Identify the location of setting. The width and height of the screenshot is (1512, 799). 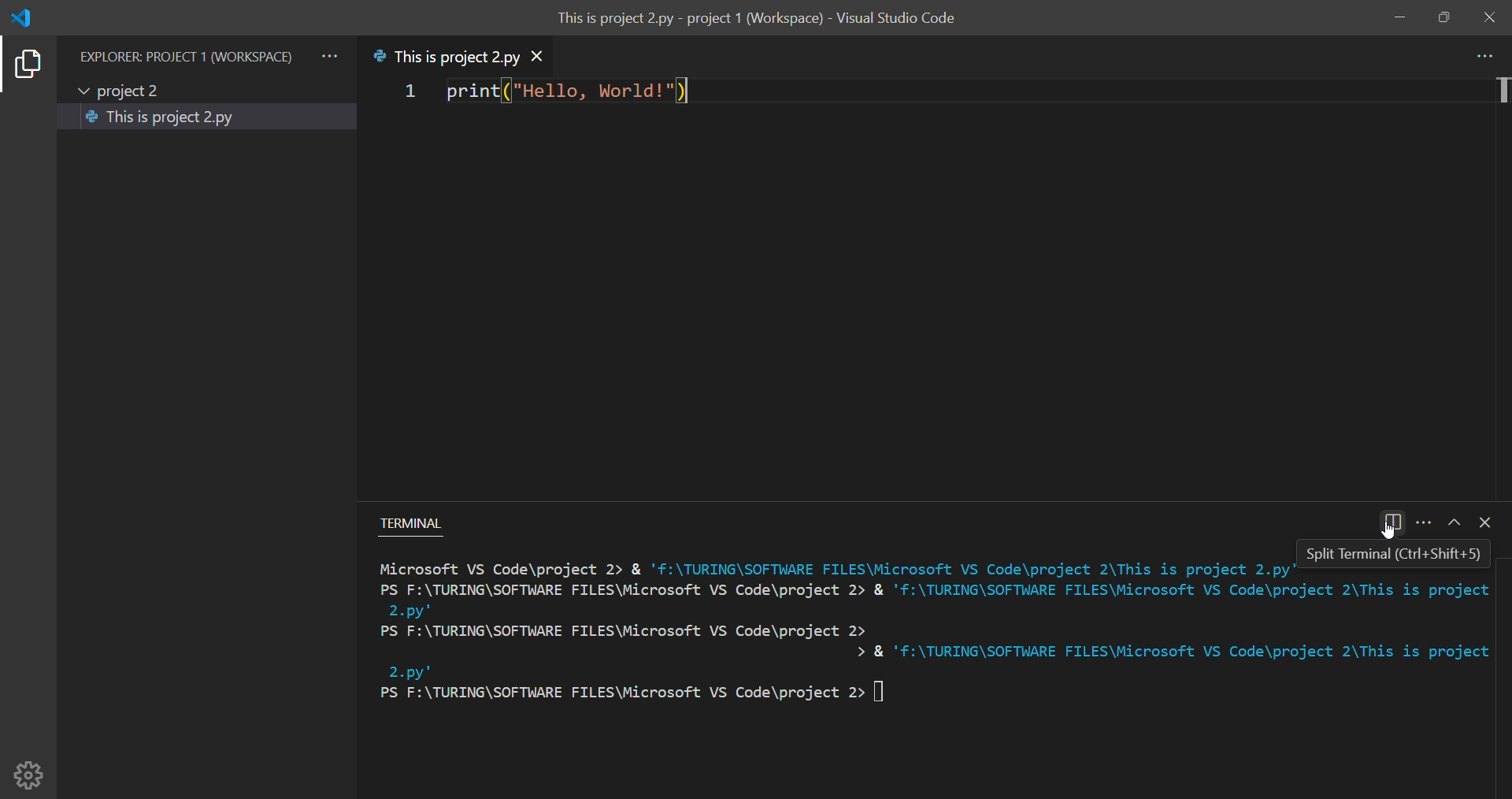
(31, 770).